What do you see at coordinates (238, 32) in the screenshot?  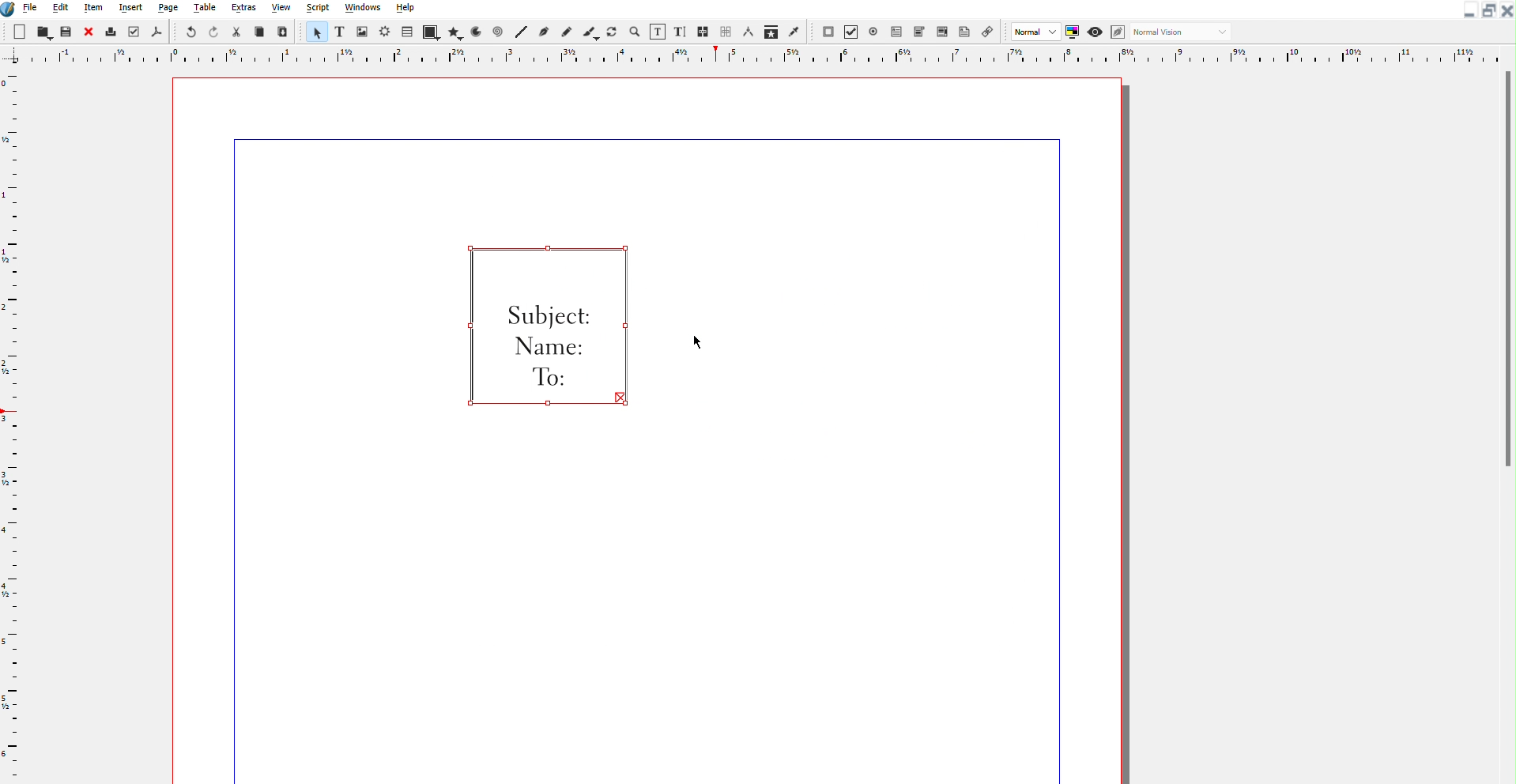 I see `Cut` at bounding box center [238, 32].